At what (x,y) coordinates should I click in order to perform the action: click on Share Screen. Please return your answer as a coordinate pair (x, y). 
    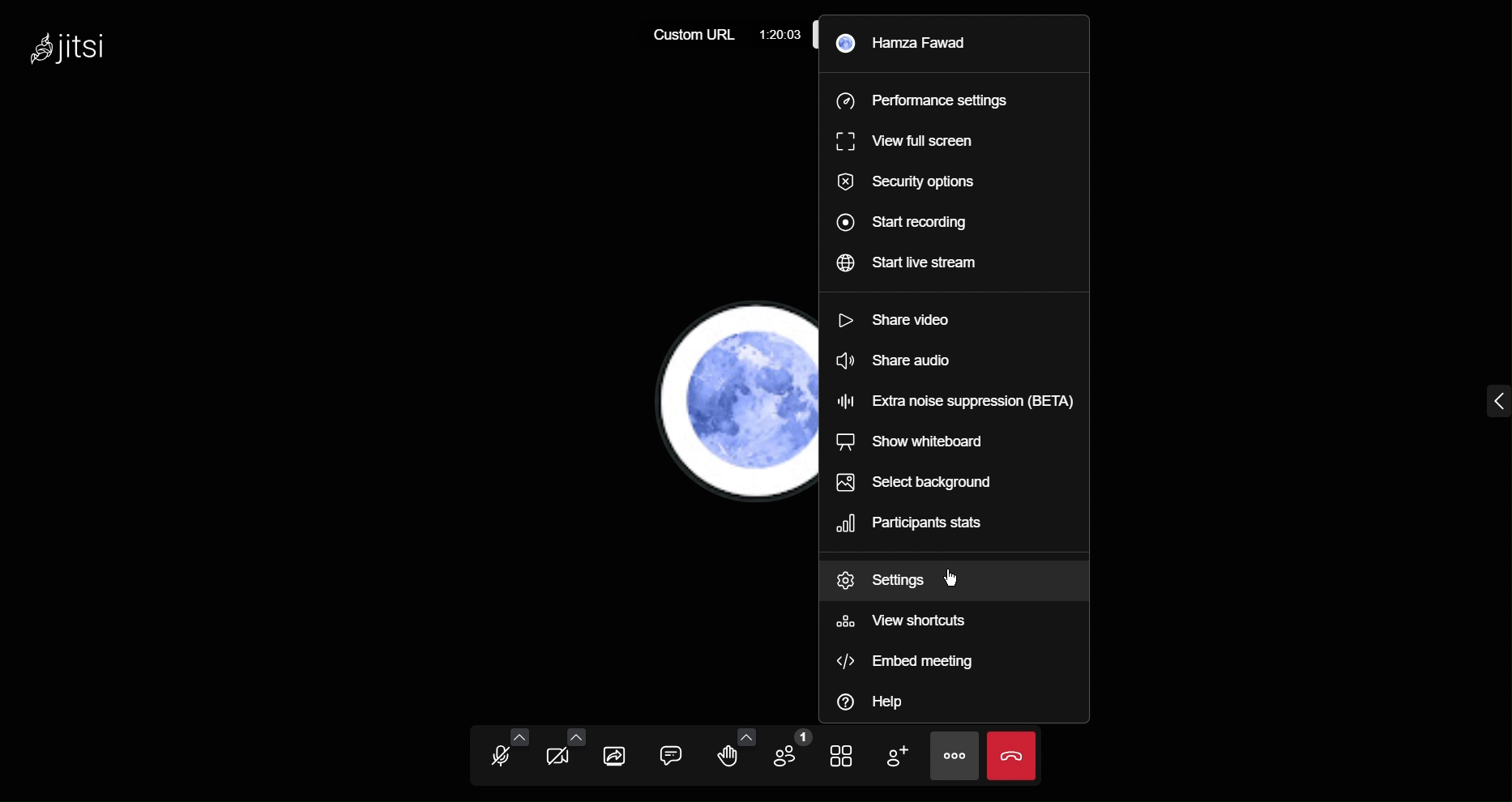
    Looking at the image, I should click on (618, 753).